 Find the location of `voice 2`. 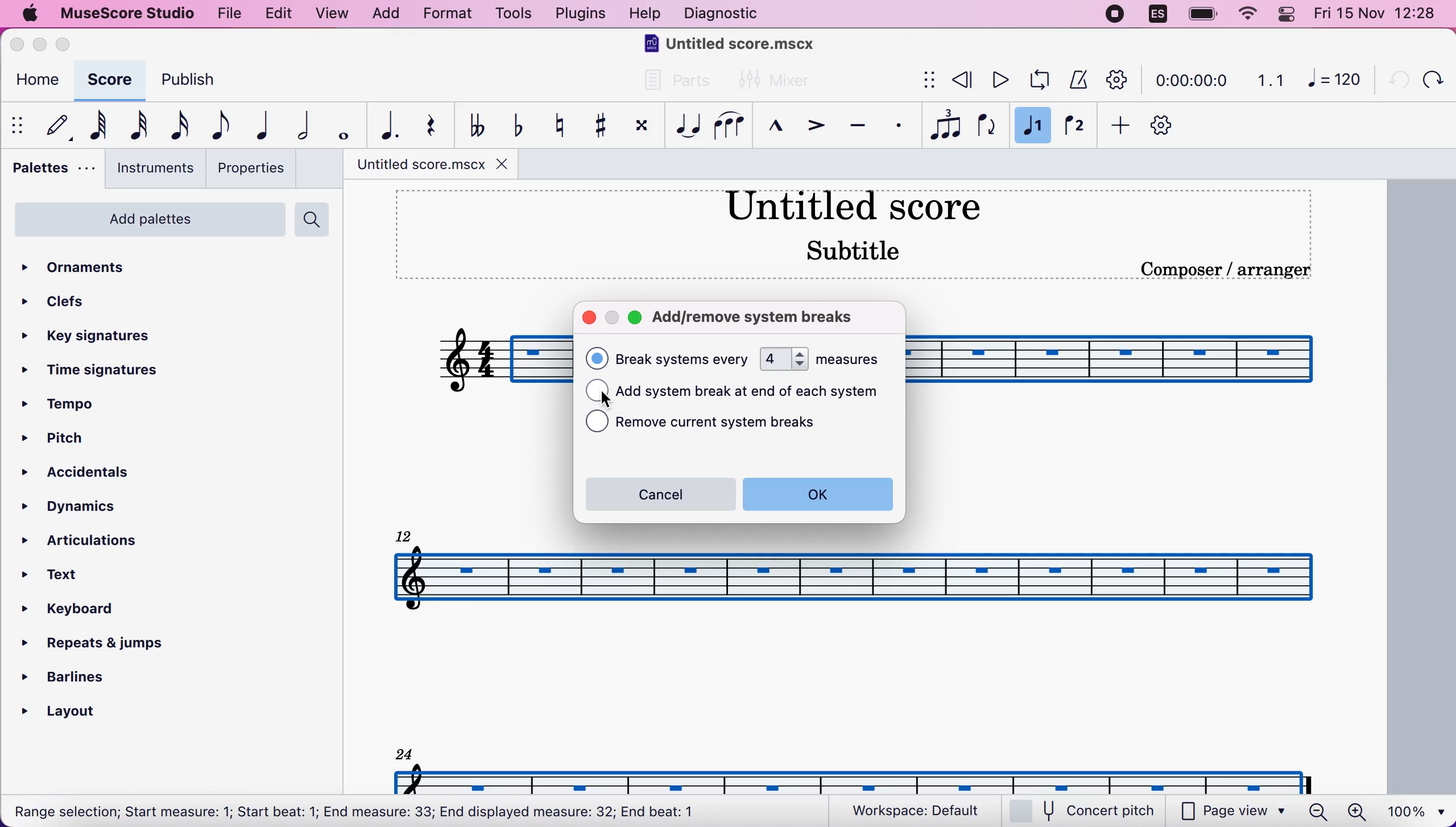

voice 2 is located at coordinates (1076, 127).